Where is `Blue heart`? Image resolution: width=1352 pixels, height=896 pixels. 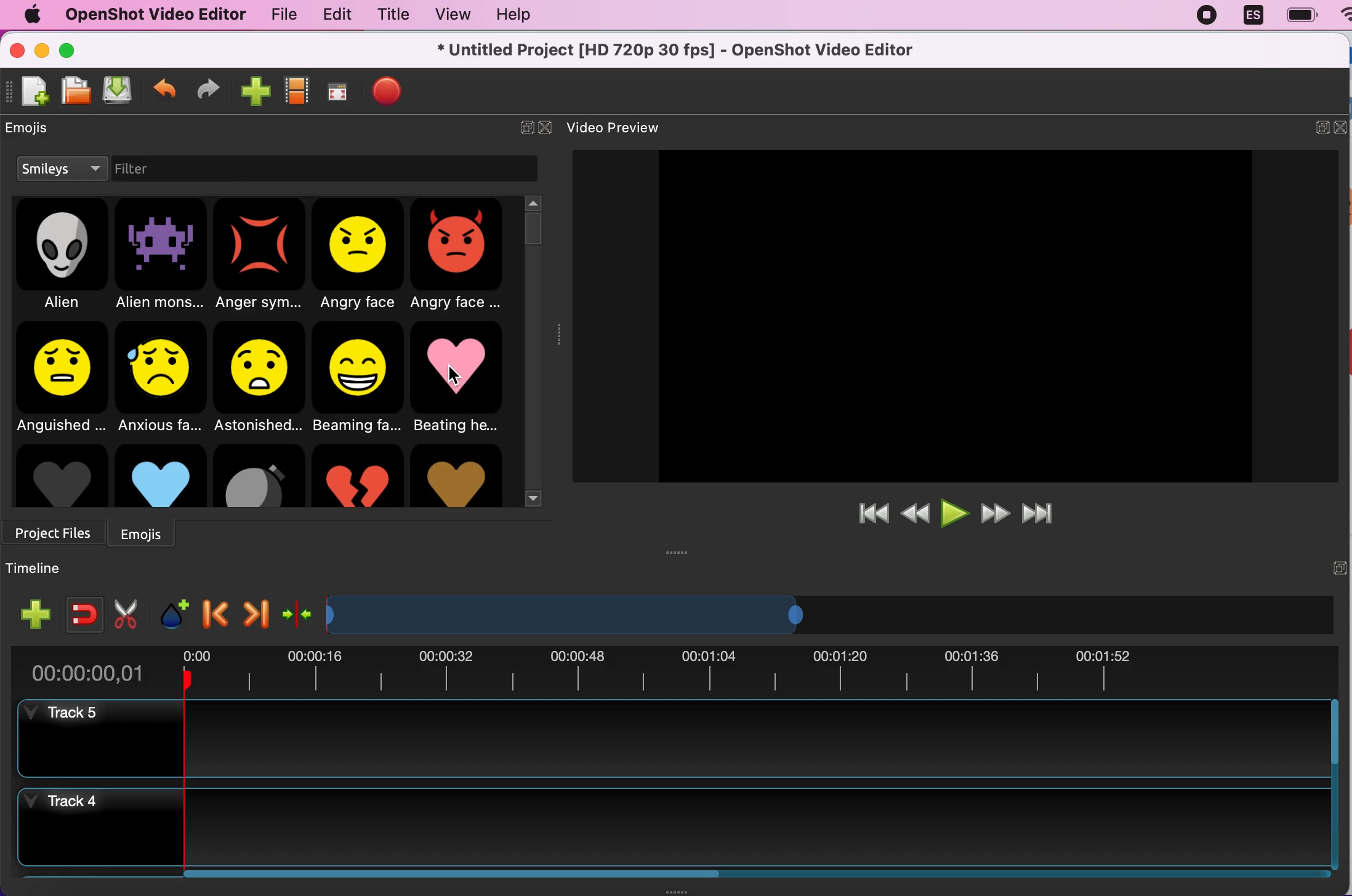 Blue heart is located at coordinates (160, 475).